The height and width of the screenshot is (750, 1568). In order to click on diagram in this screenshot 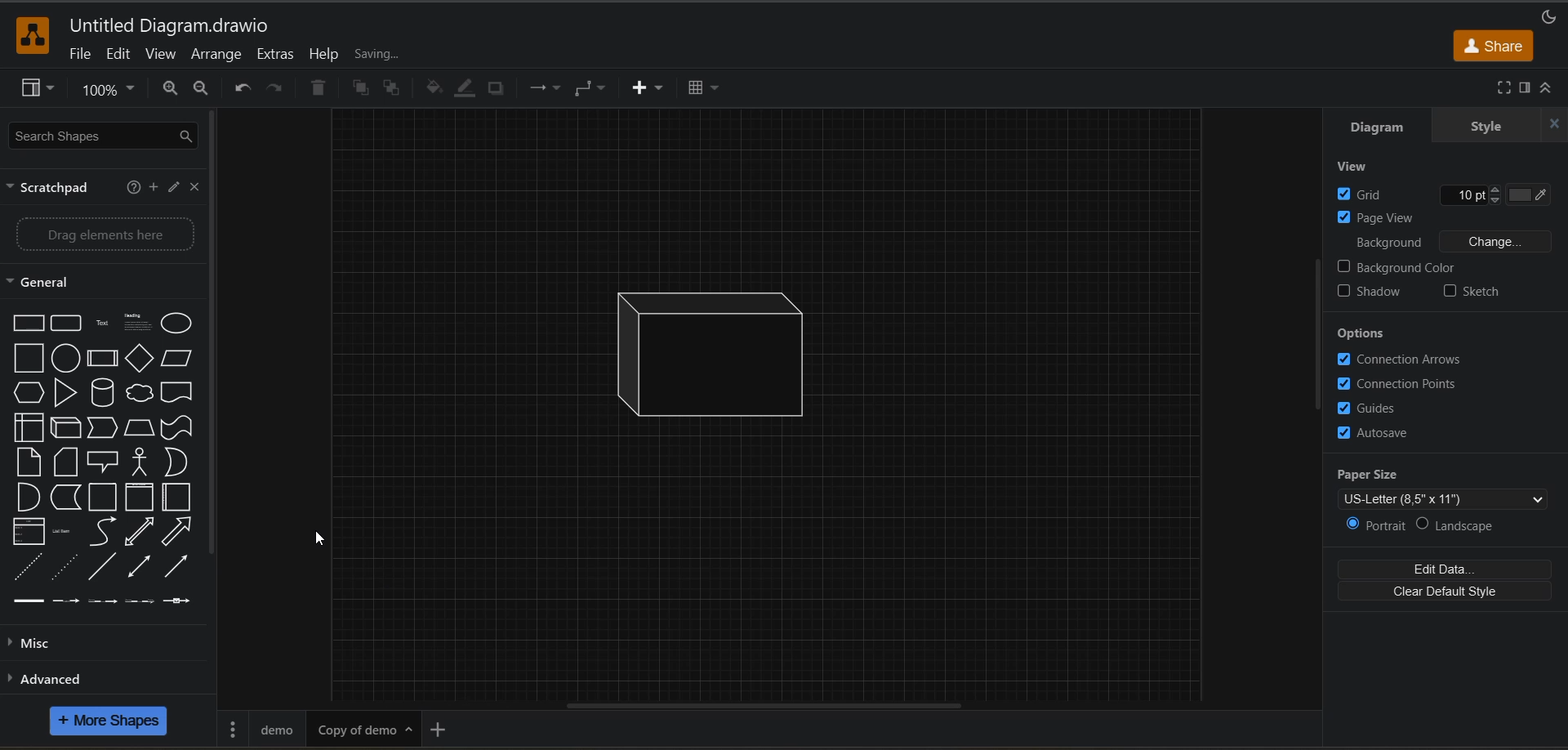, I will do `click(1391, 126)`.